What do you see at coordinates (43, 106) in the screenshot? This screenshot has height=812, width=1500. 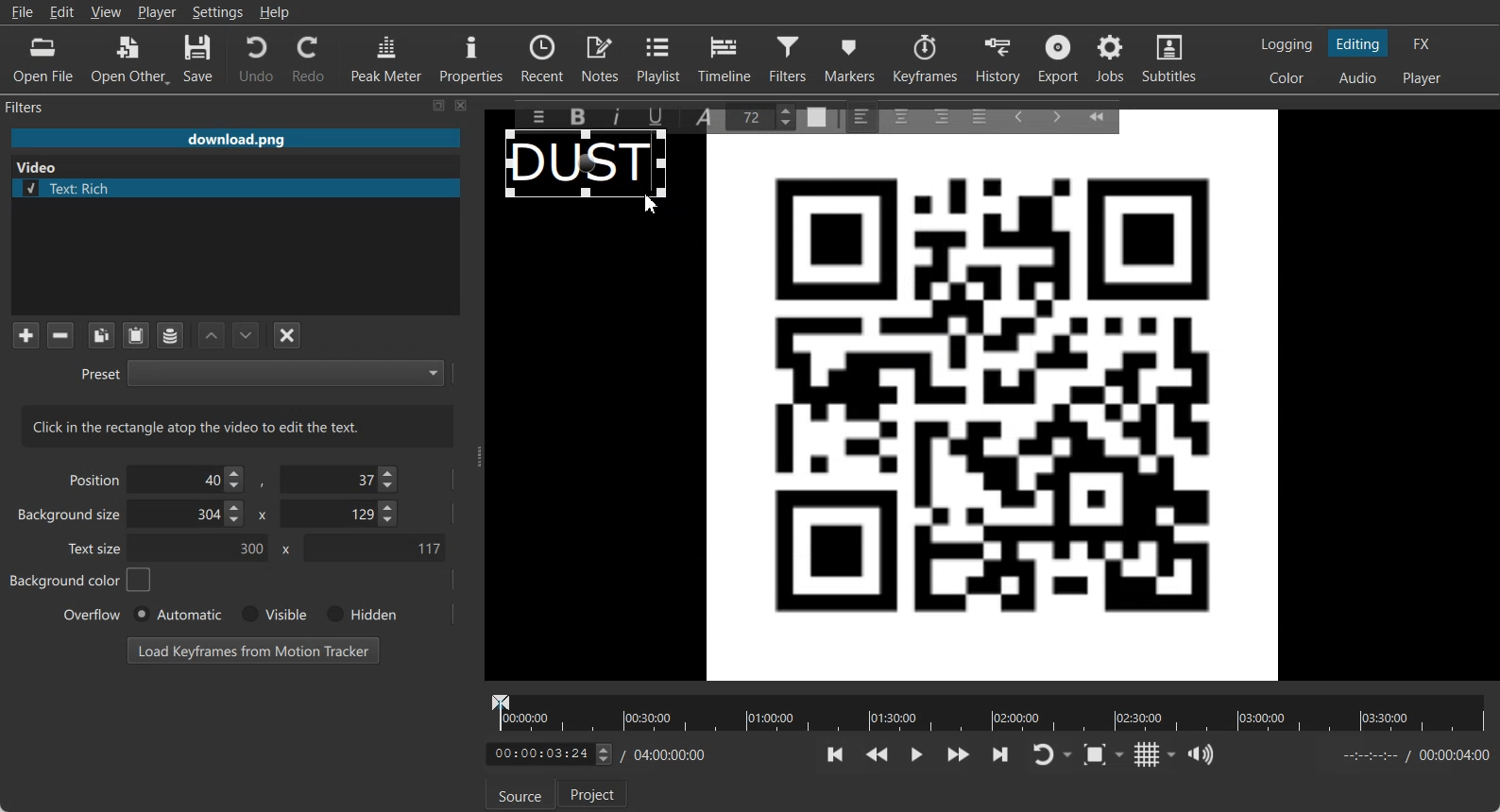 I see `Filters` at bounding box center [43, 106].